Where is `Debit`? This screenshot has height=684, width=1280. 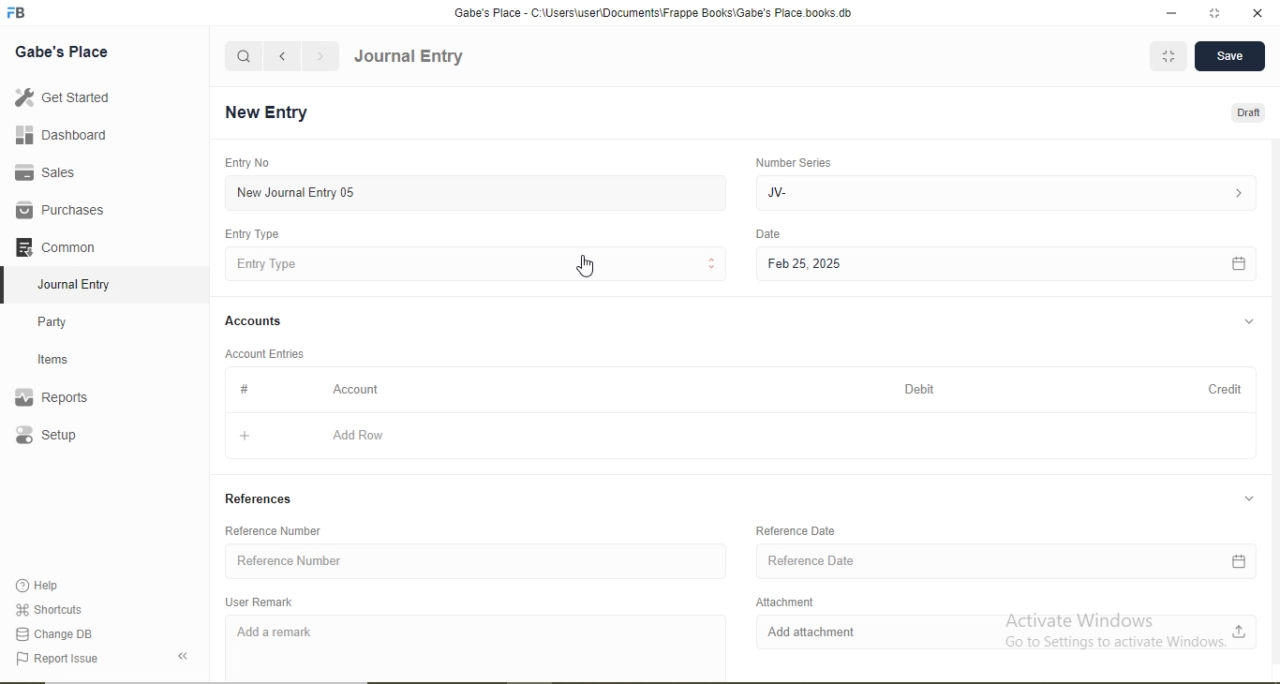
Debit is located at coordinates (922, 390).